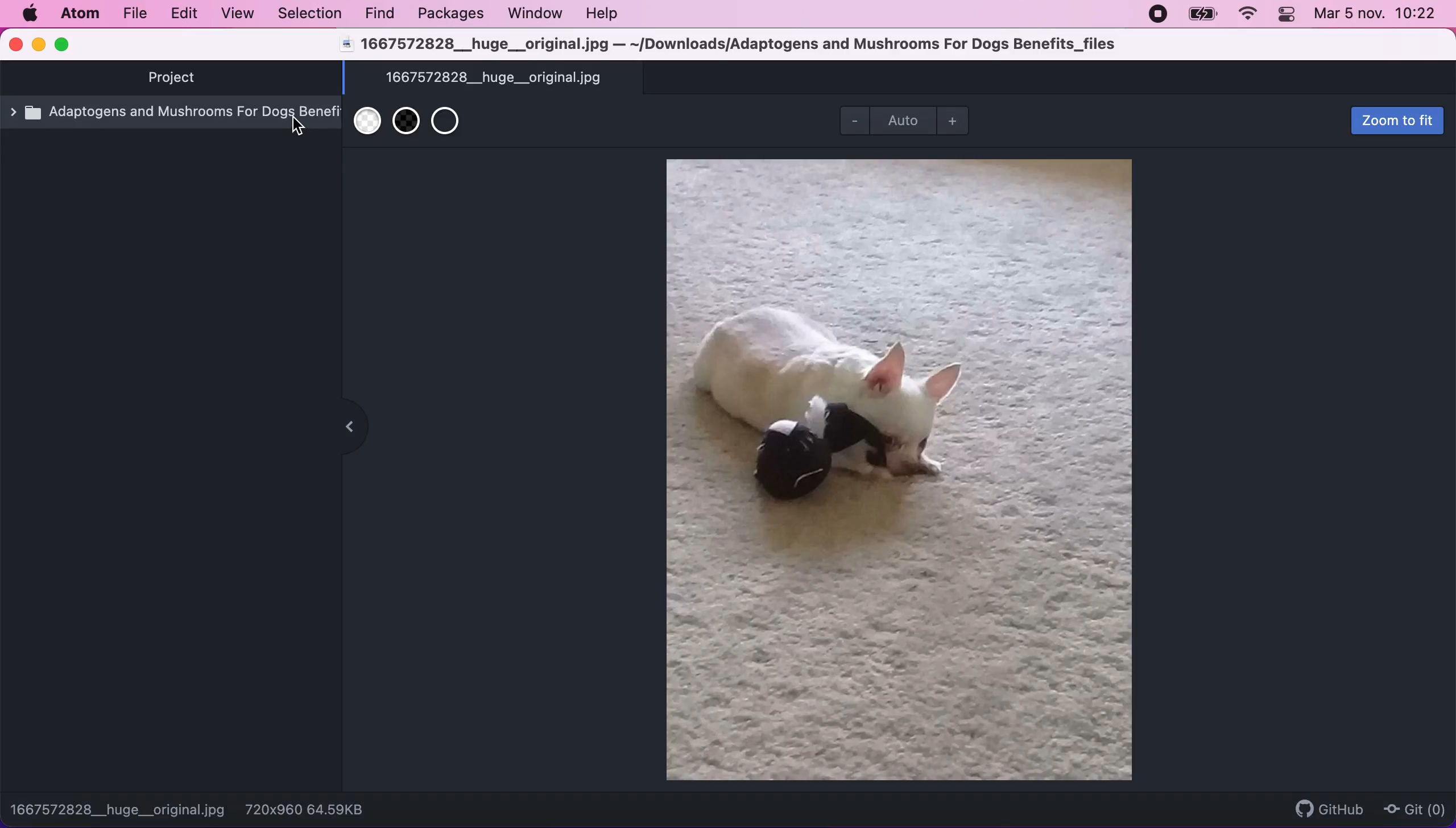 Image resolution: width=1456 pixels, height=828 pixels. I want to click on edit, so click(184, 14).